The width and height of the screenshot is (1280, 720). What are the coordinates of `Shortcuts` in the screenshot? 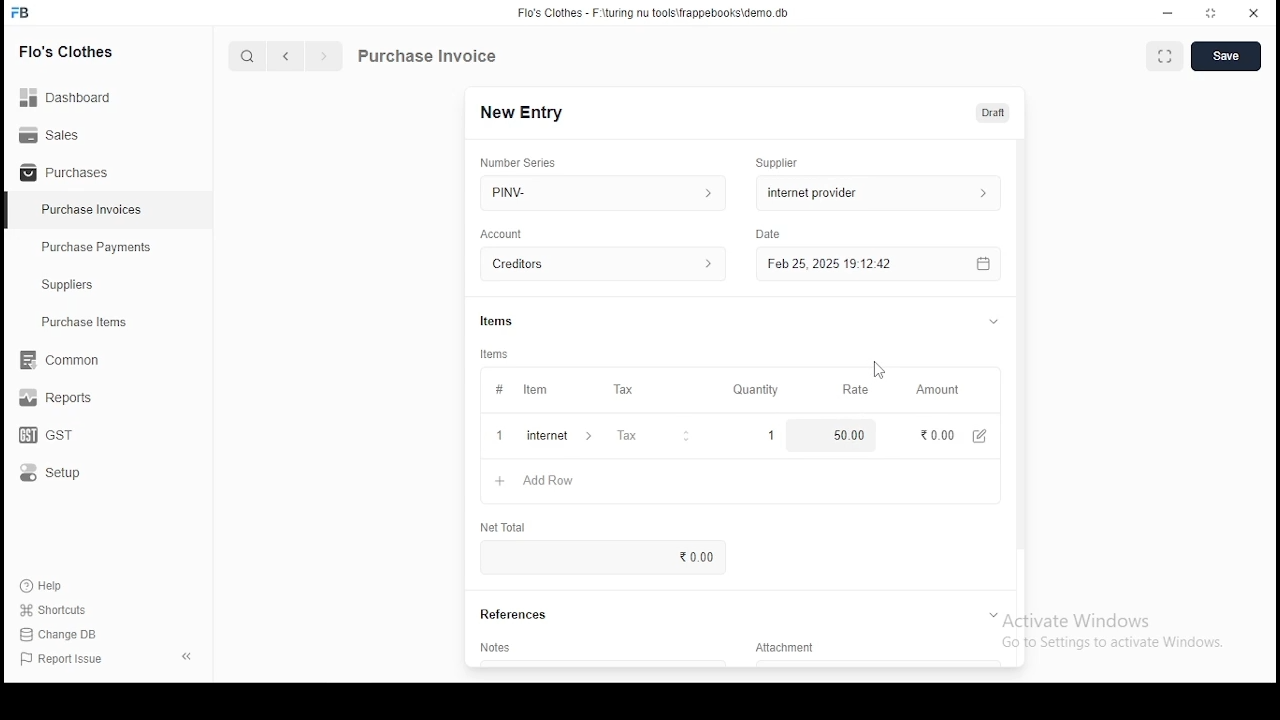 It's located at (61, 610).